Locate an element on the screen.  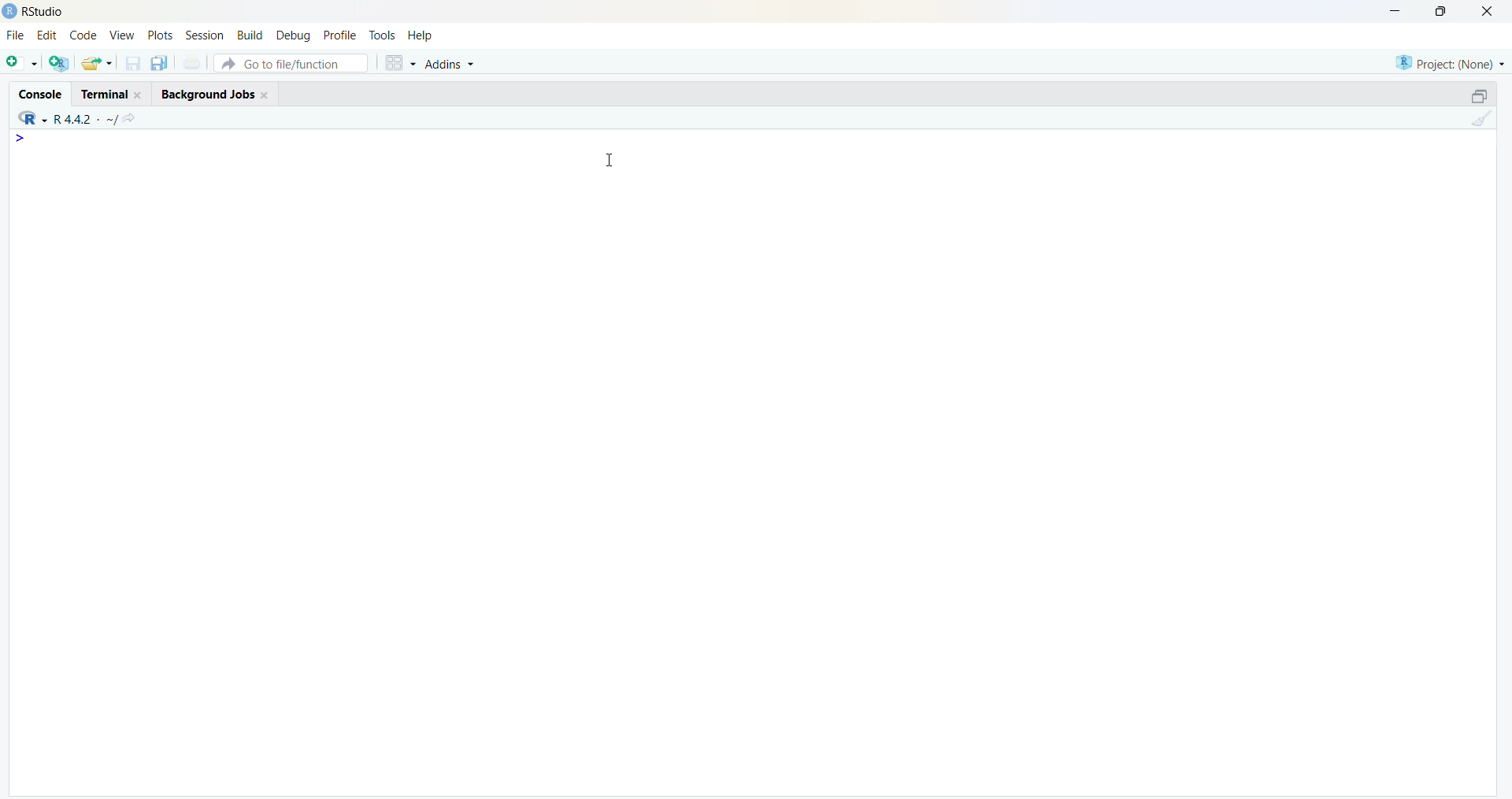
debug is located at coordinates (293, 37).